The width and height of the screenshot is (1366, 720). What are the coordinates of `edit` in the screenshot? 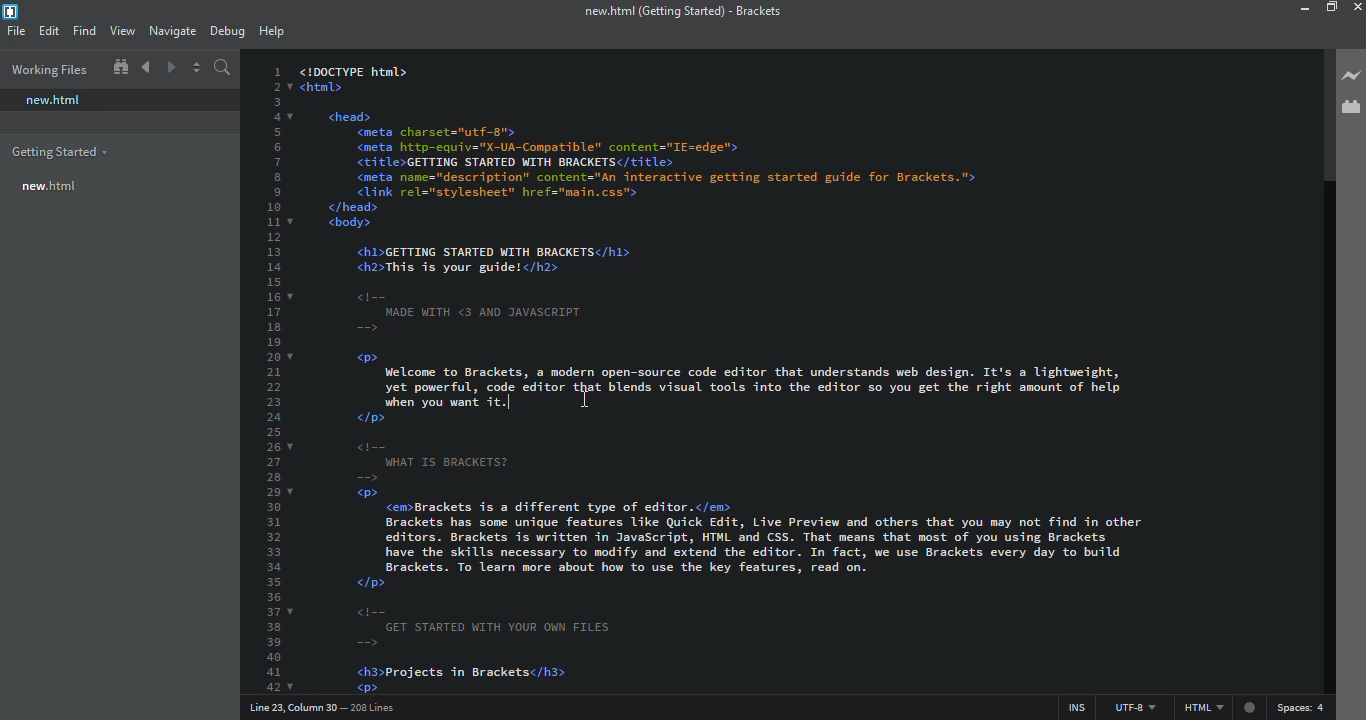 It's located at (51, 31).